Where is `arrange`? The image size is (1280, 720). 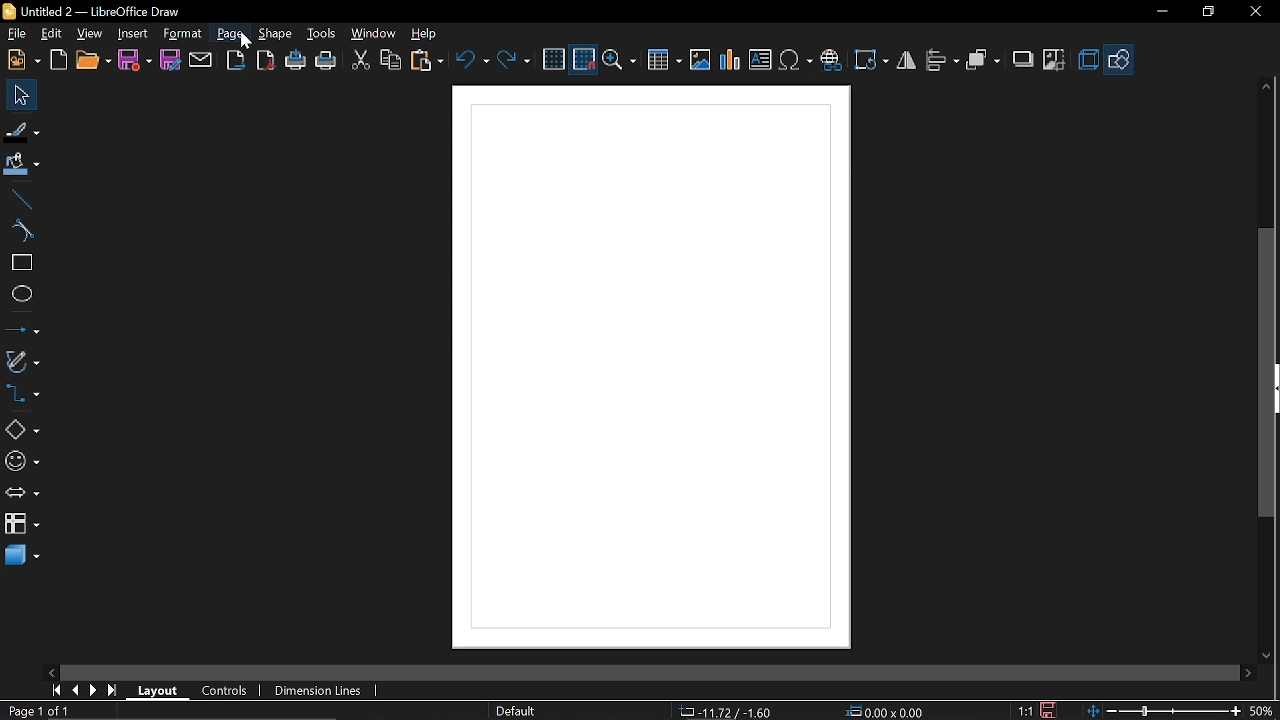
arrange is located at coordinates (985, 61).